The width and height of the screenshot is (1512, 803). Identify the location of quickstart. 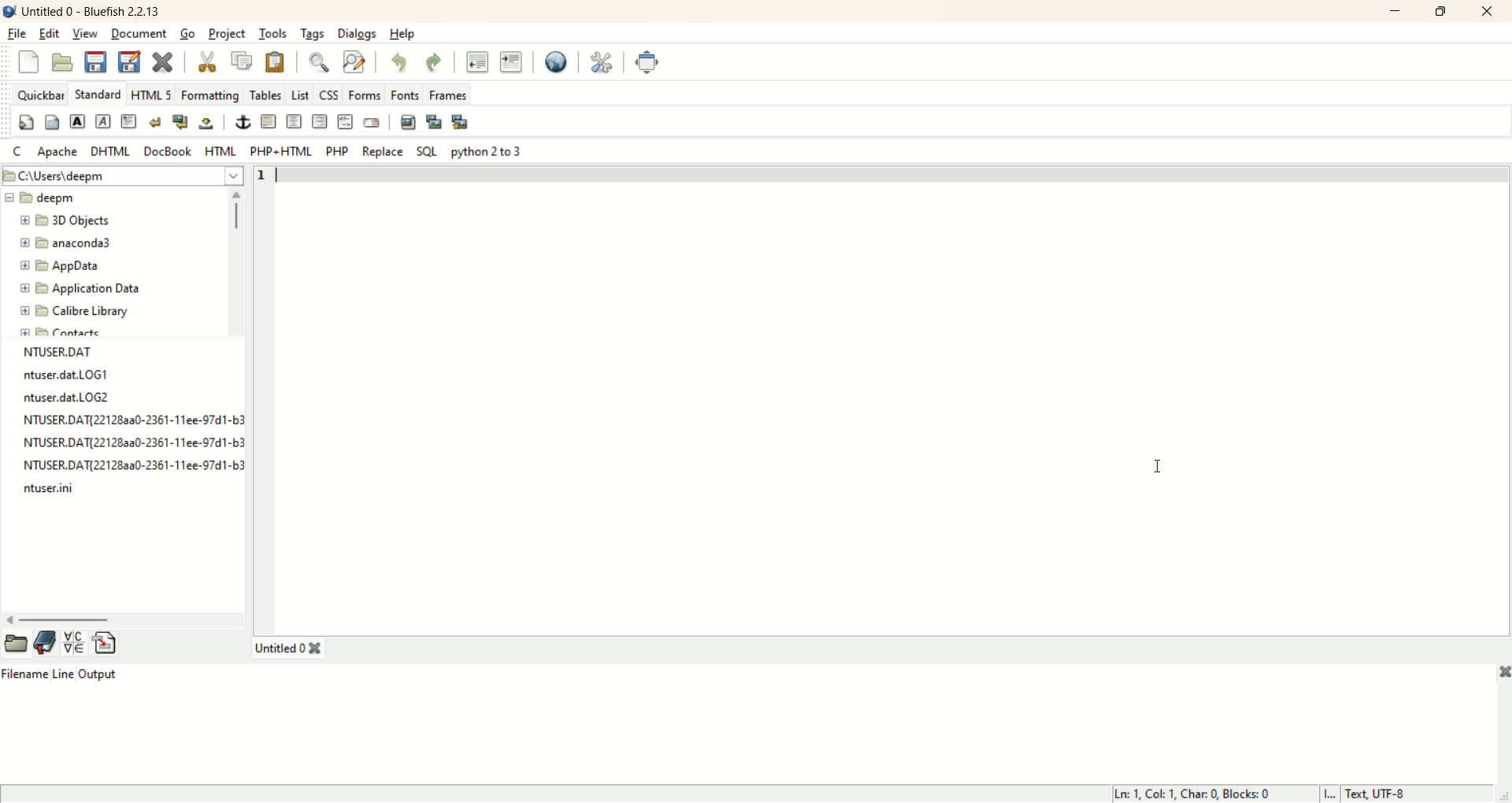
(26, 122).